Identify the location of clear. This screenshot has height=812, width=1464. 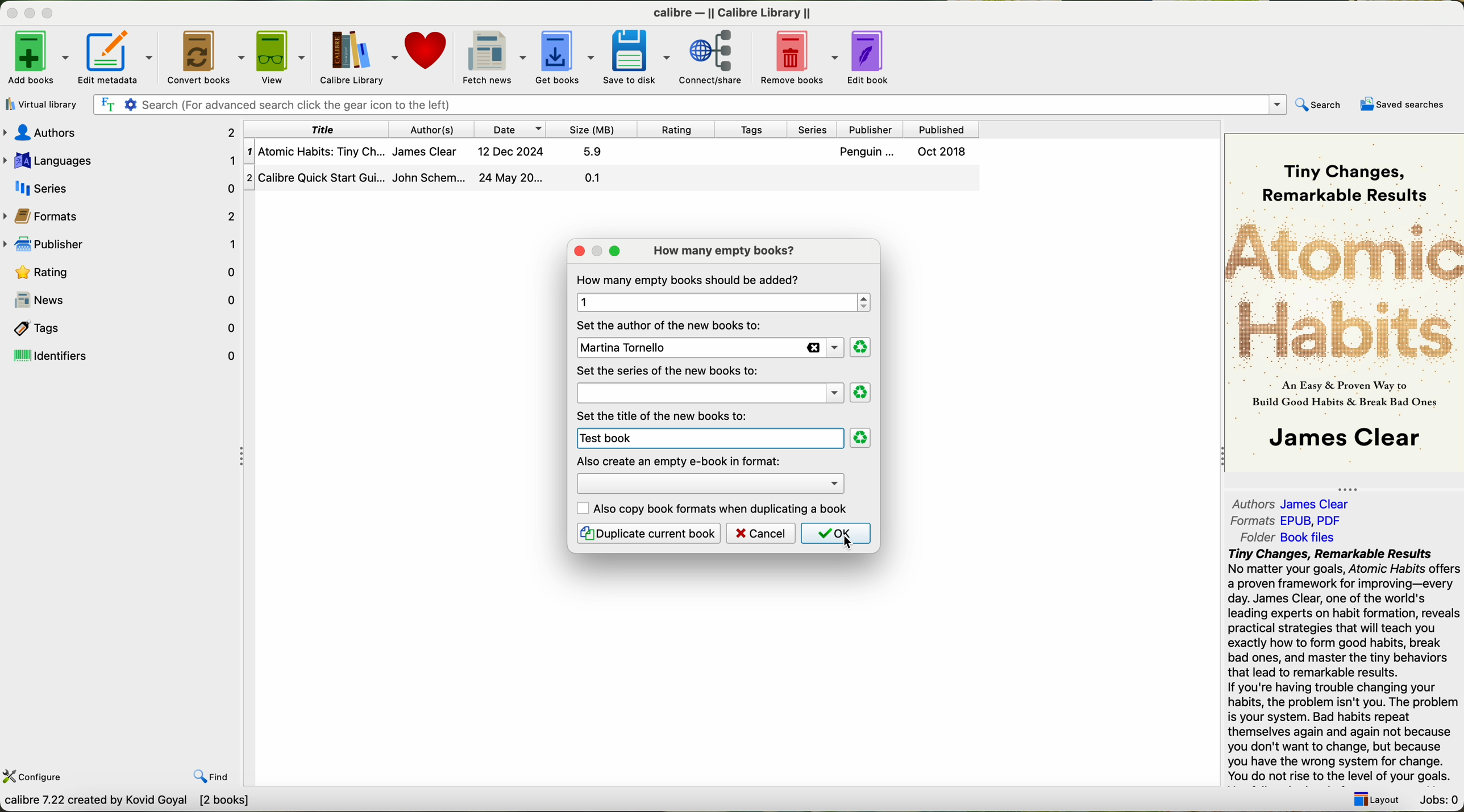
(862, 393).